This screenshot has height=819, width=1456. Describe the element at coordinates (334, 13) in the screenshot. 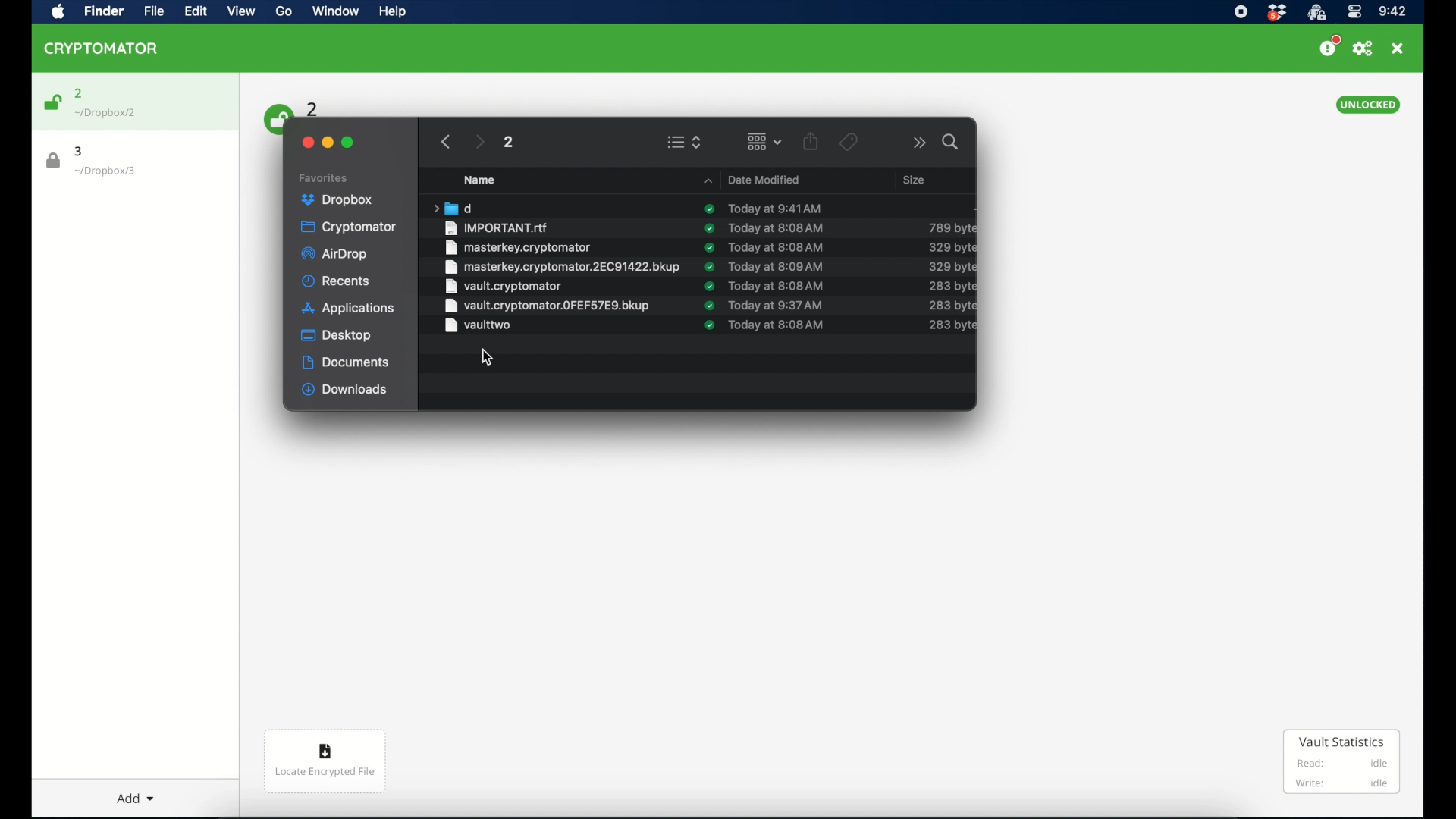

I see `window` at that location.